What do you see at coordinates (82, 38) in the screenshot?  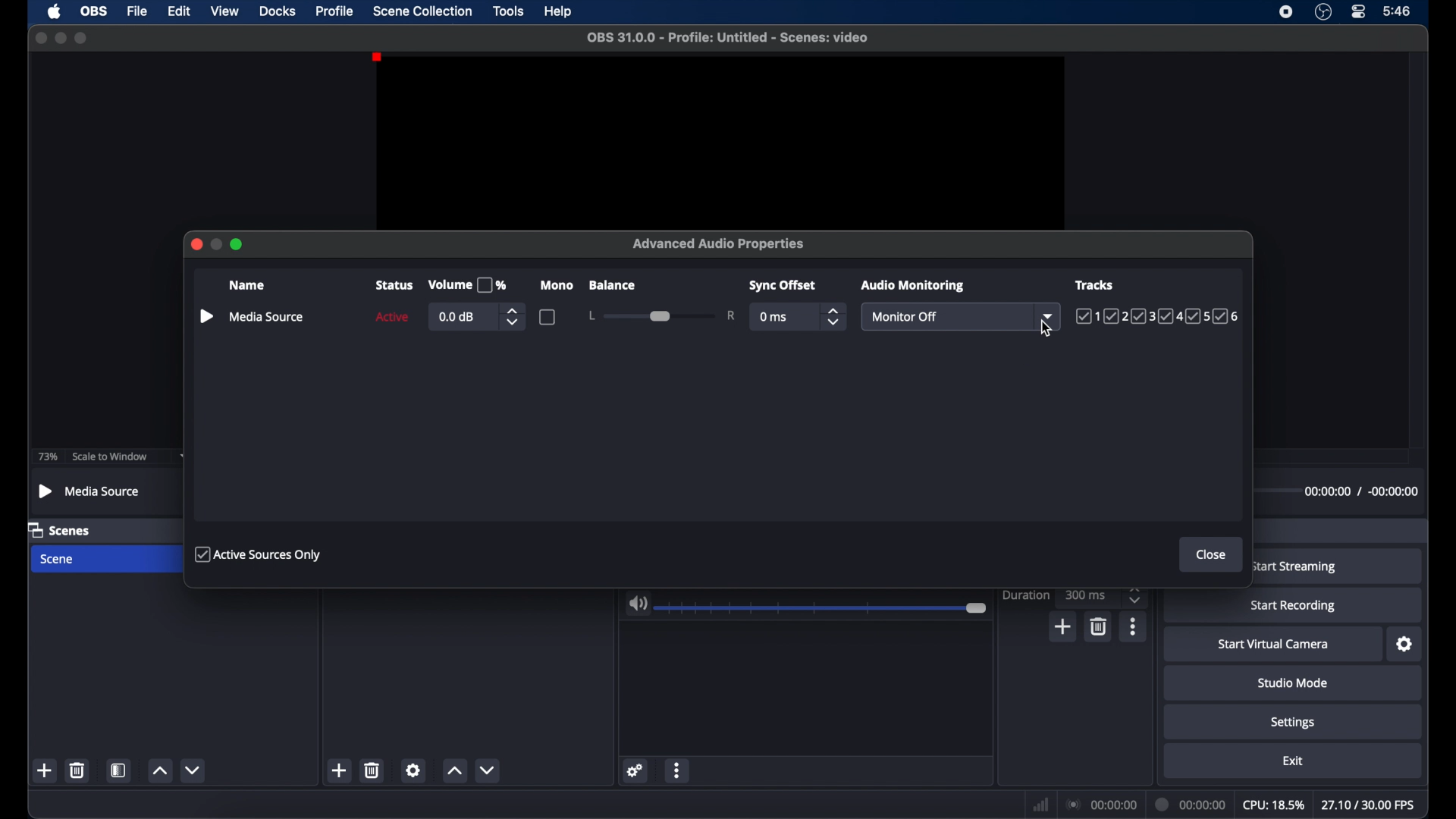 I see `maximize` at bounding box center [82, 38].